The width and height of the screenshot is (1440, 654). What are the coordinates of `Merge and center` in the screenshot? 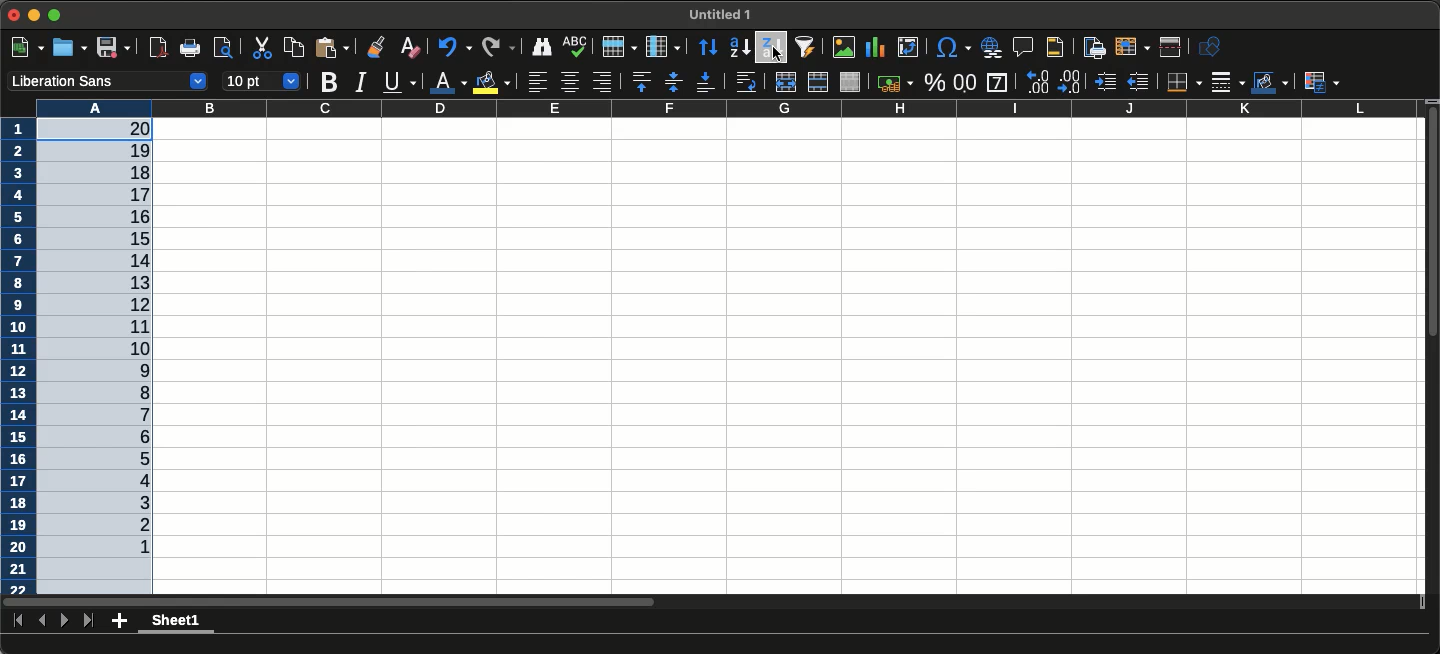 It's located at (786, 83).